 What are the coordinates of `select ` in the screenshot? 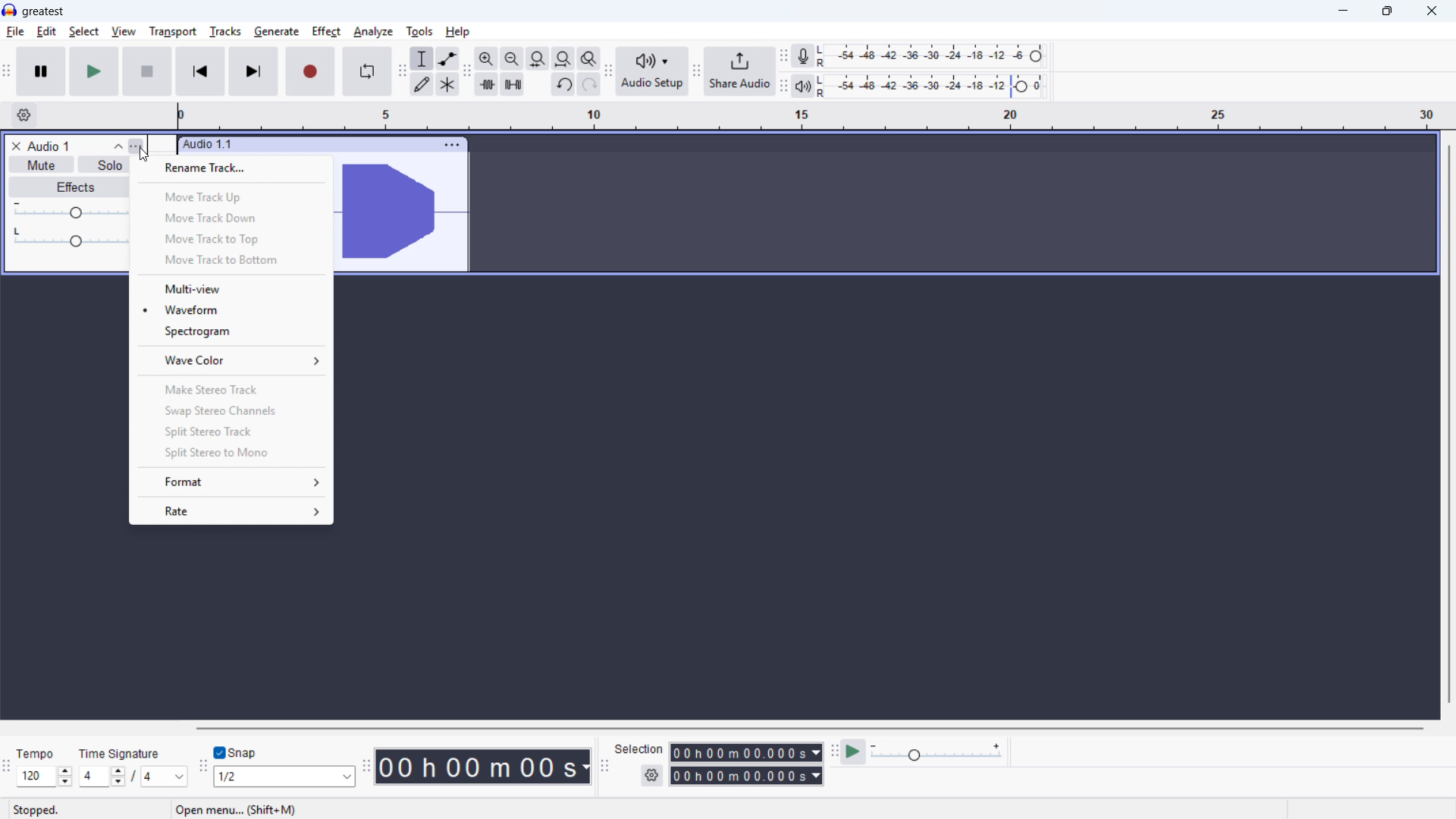 It's located at (84, 32).